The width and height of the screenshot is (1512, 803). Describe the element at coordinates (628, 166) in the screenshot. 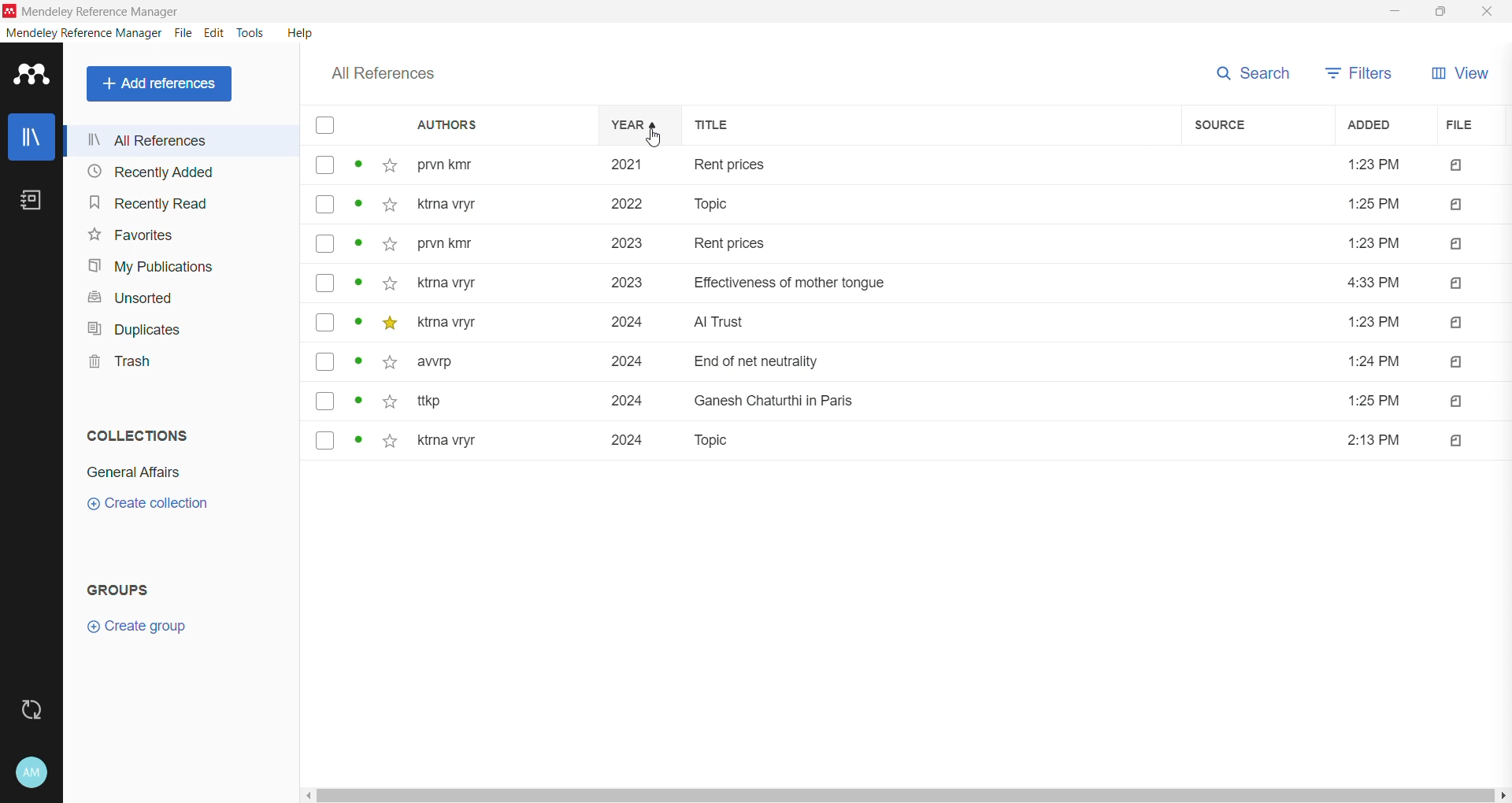

I see `2021` at that location.